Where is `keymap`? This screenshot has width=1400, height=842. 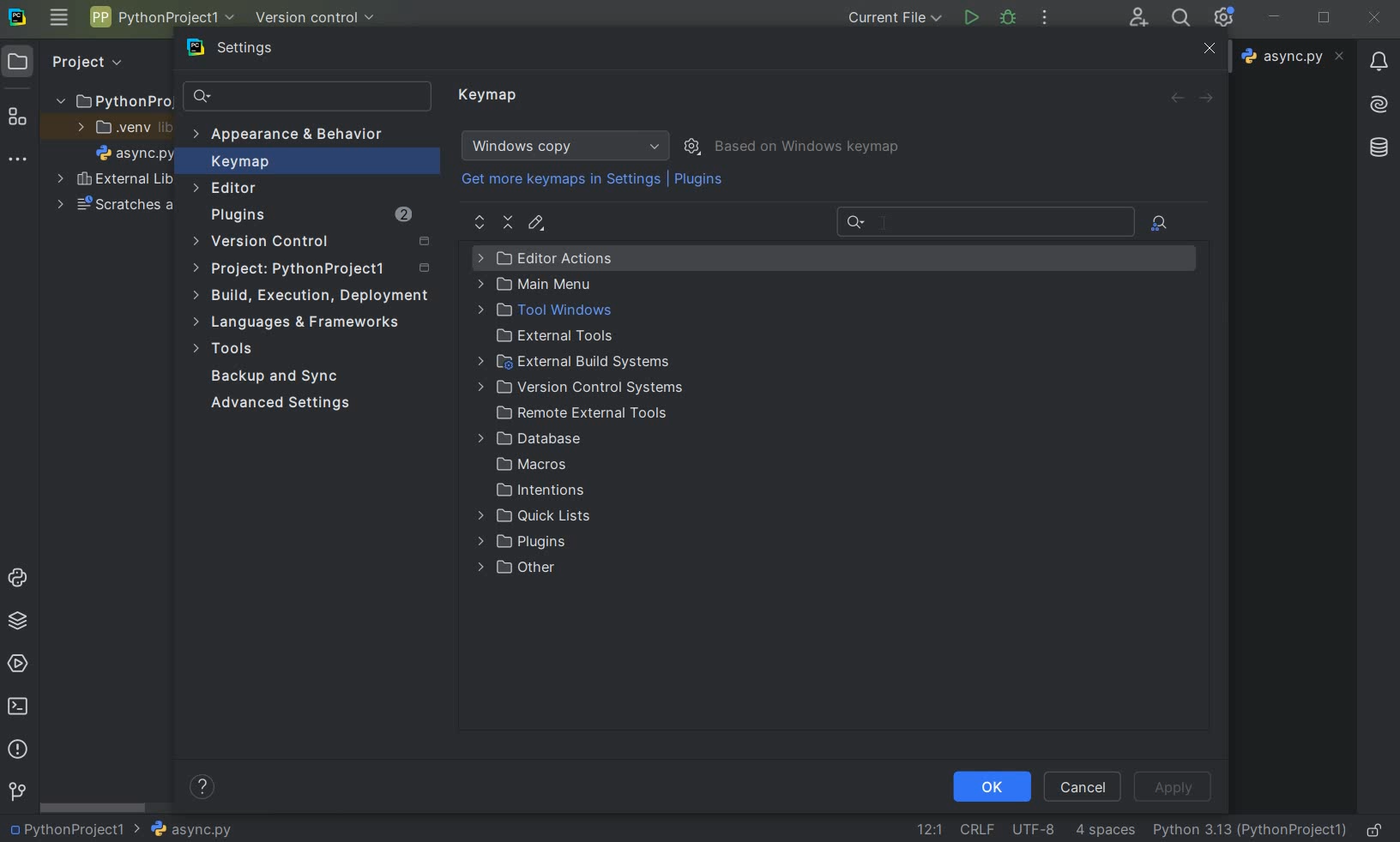 keymap is located at coordinates (238, 164).